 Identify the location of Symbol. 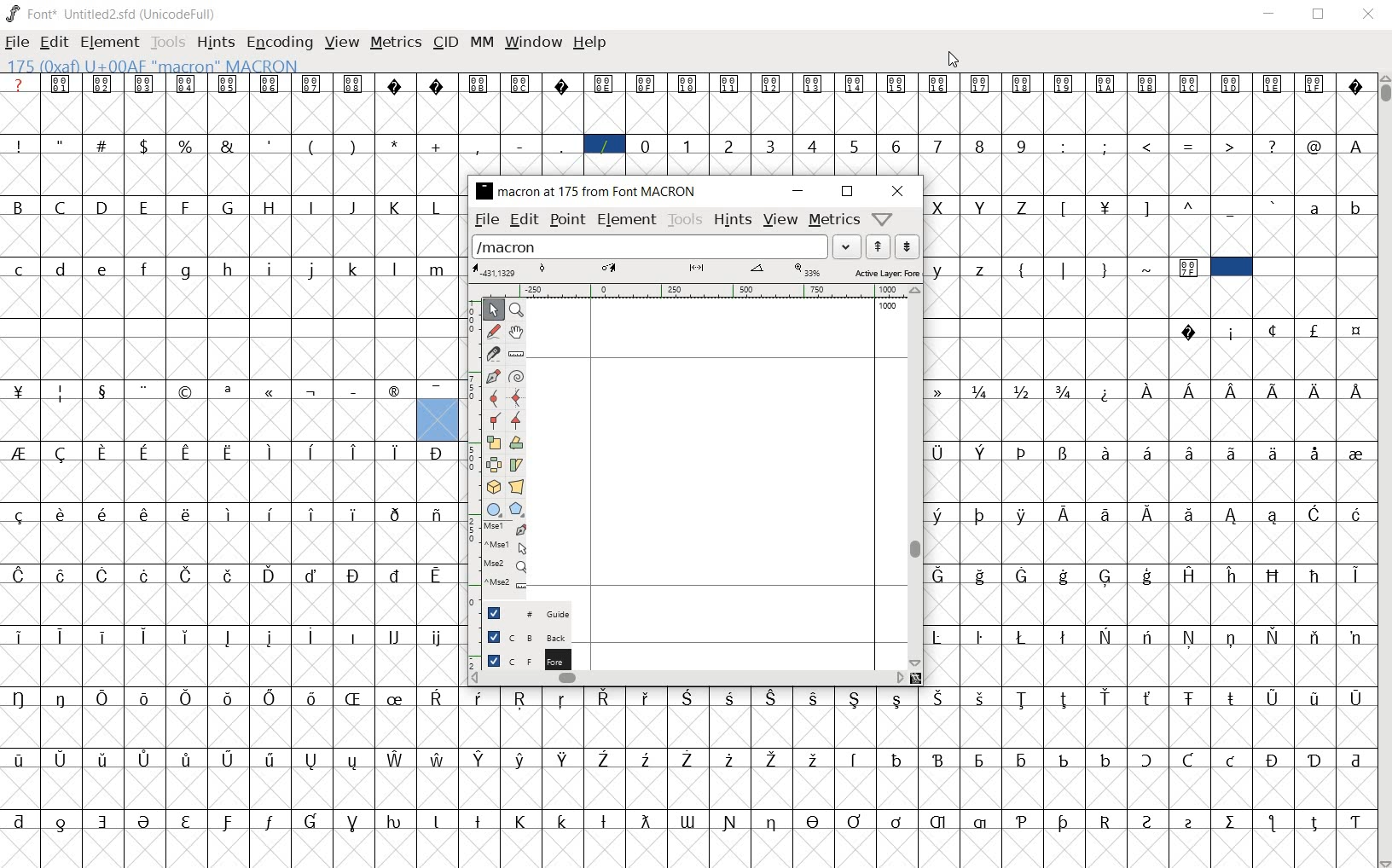
(1106, 205).